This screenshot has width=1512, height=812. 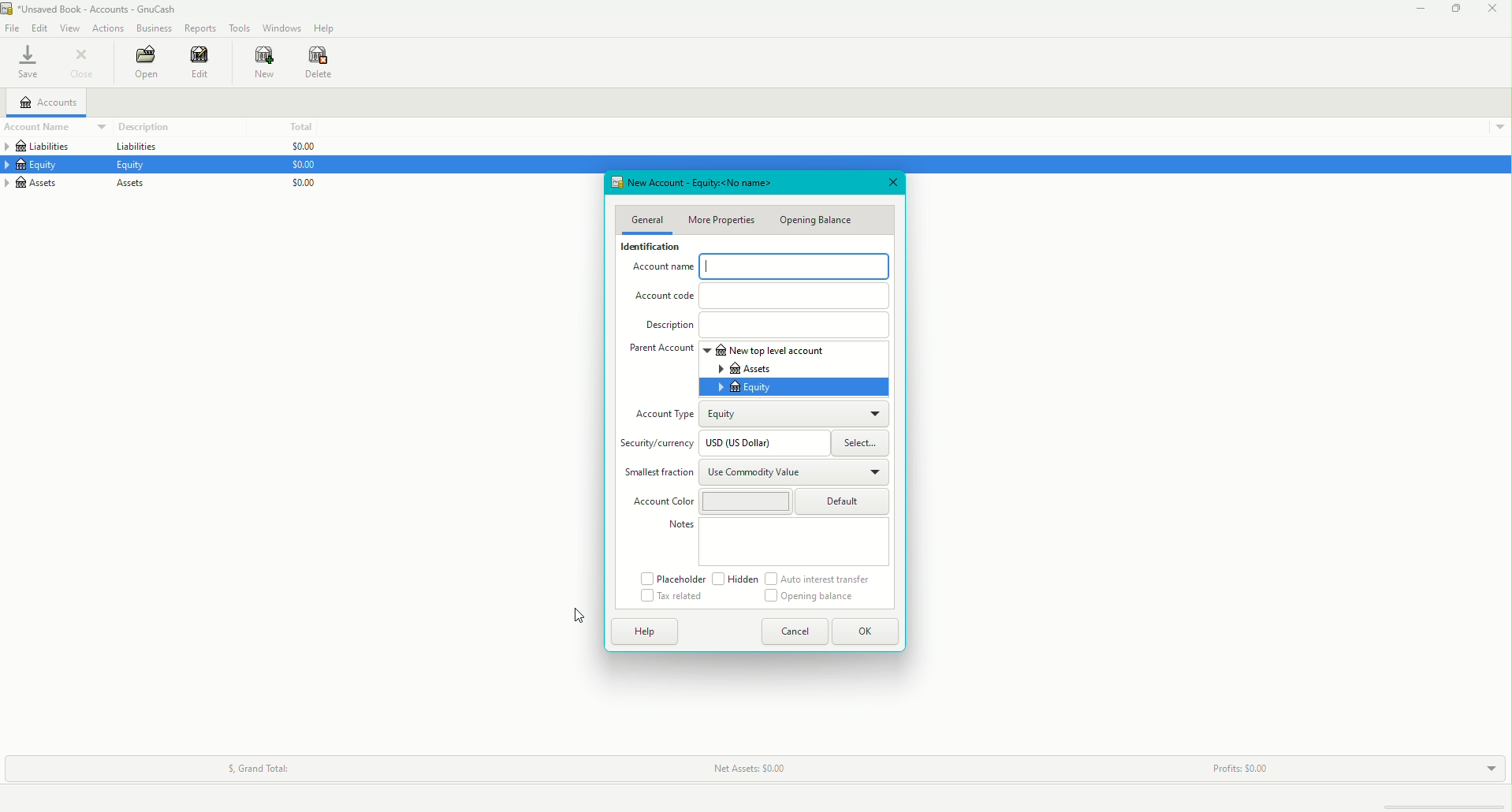 I want to click on Net Assets, so click(x=746, y=769).